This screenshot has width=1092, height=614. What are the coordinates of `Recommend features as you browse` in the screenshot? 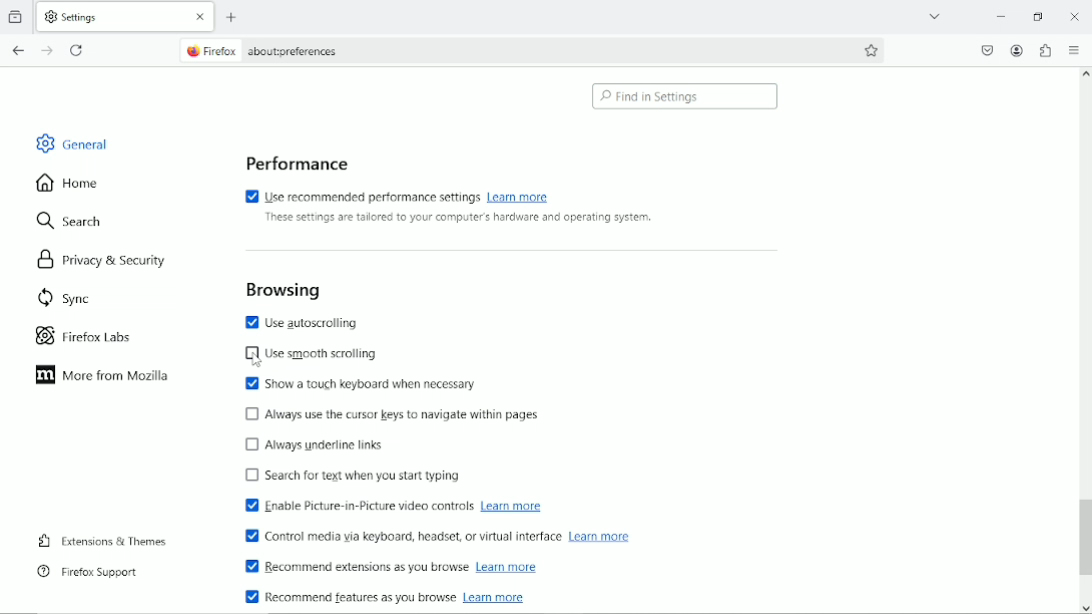 It's located at (350, 596).